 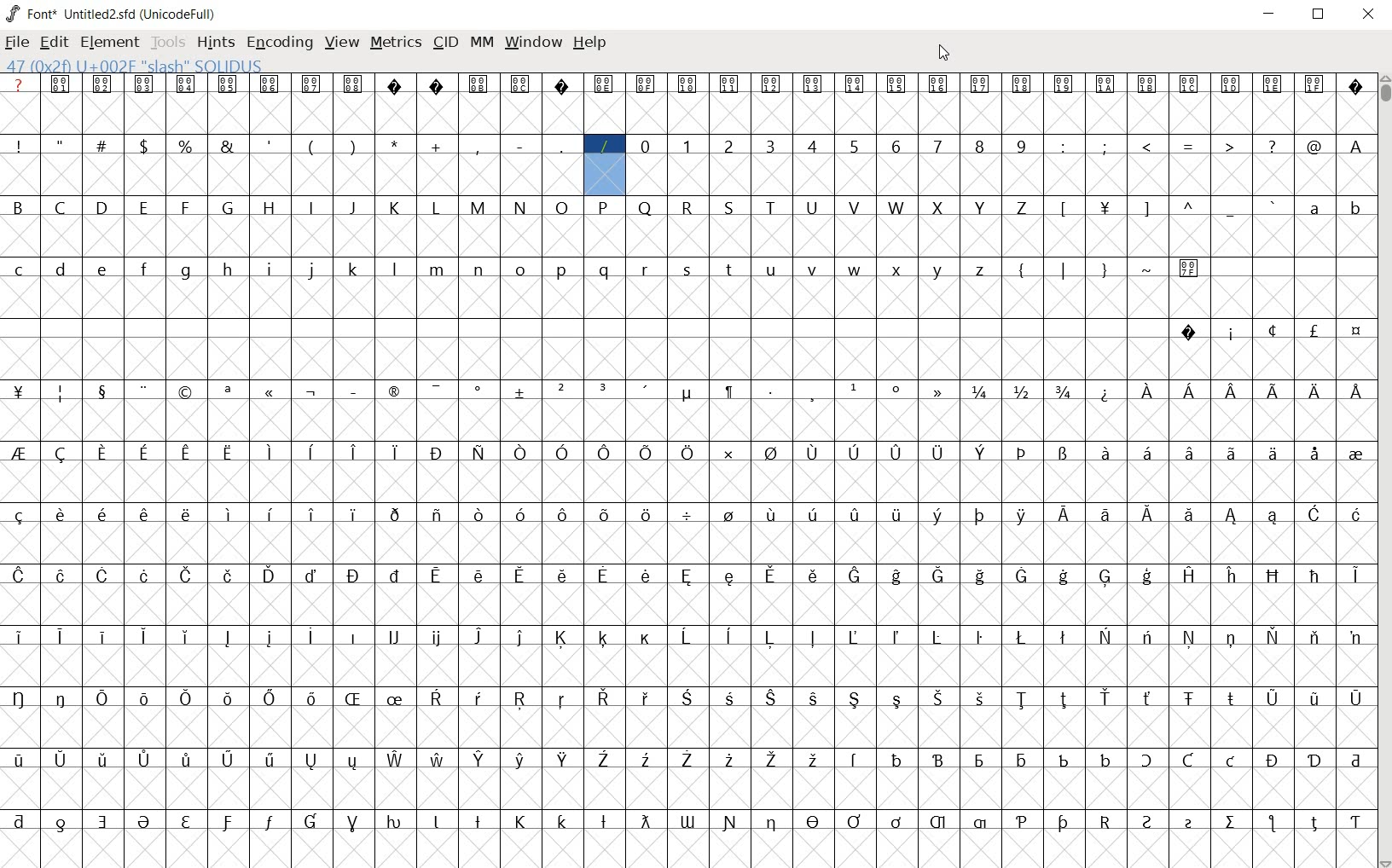 What do you see at coordinates (1314, 701) in the screenshot?
I see `glyph` at bounding box center [1314, 701].